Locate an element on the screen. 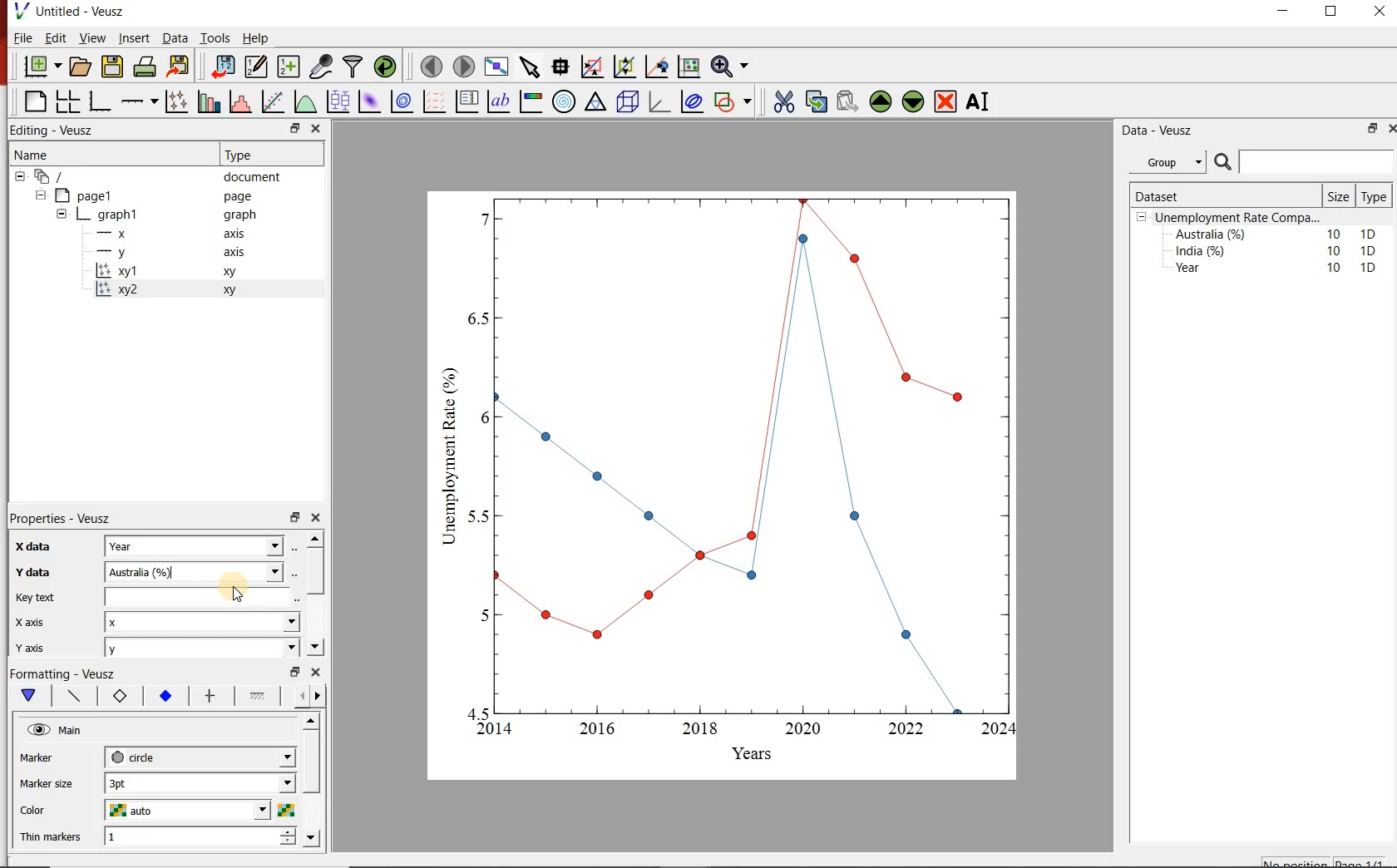  3d scenes is located at coordinates (625, 101).